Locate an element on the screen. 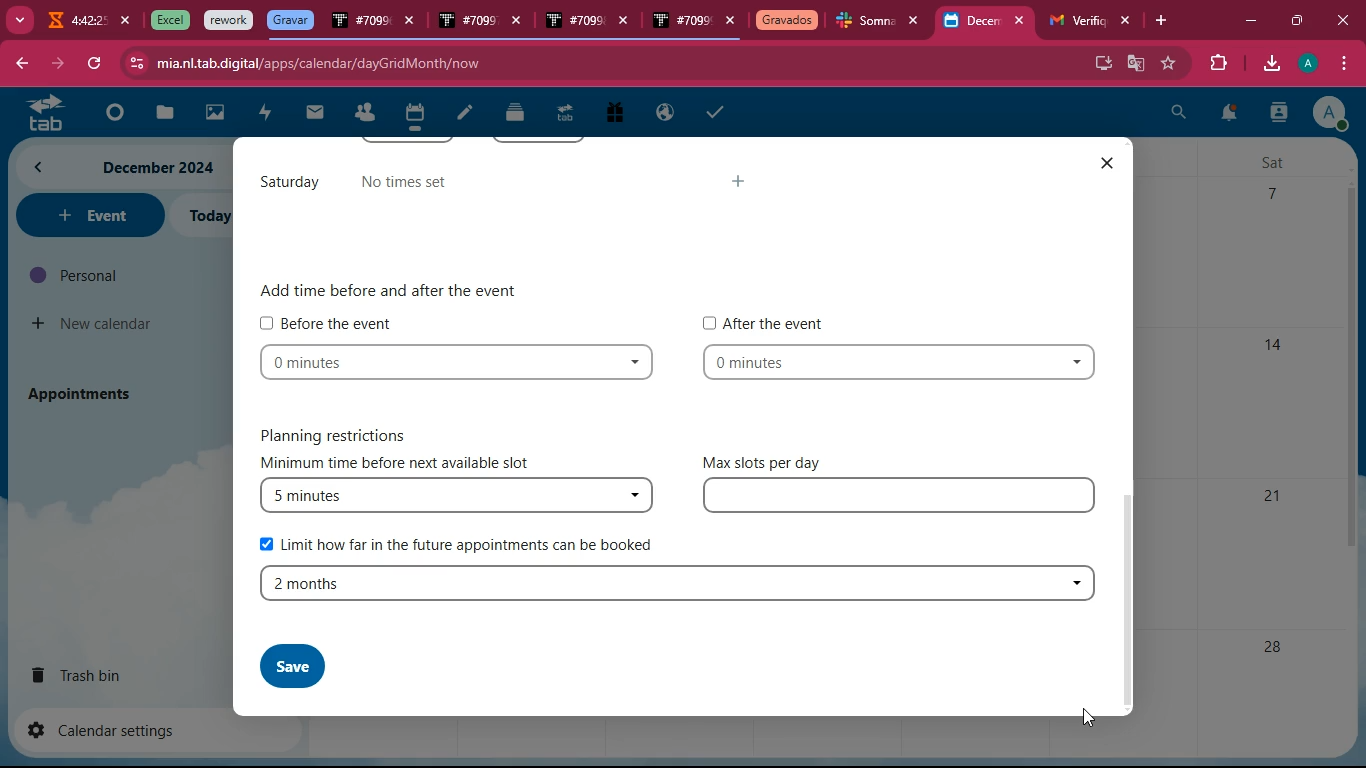  Max slots per day is located at coordinates (758, 462).